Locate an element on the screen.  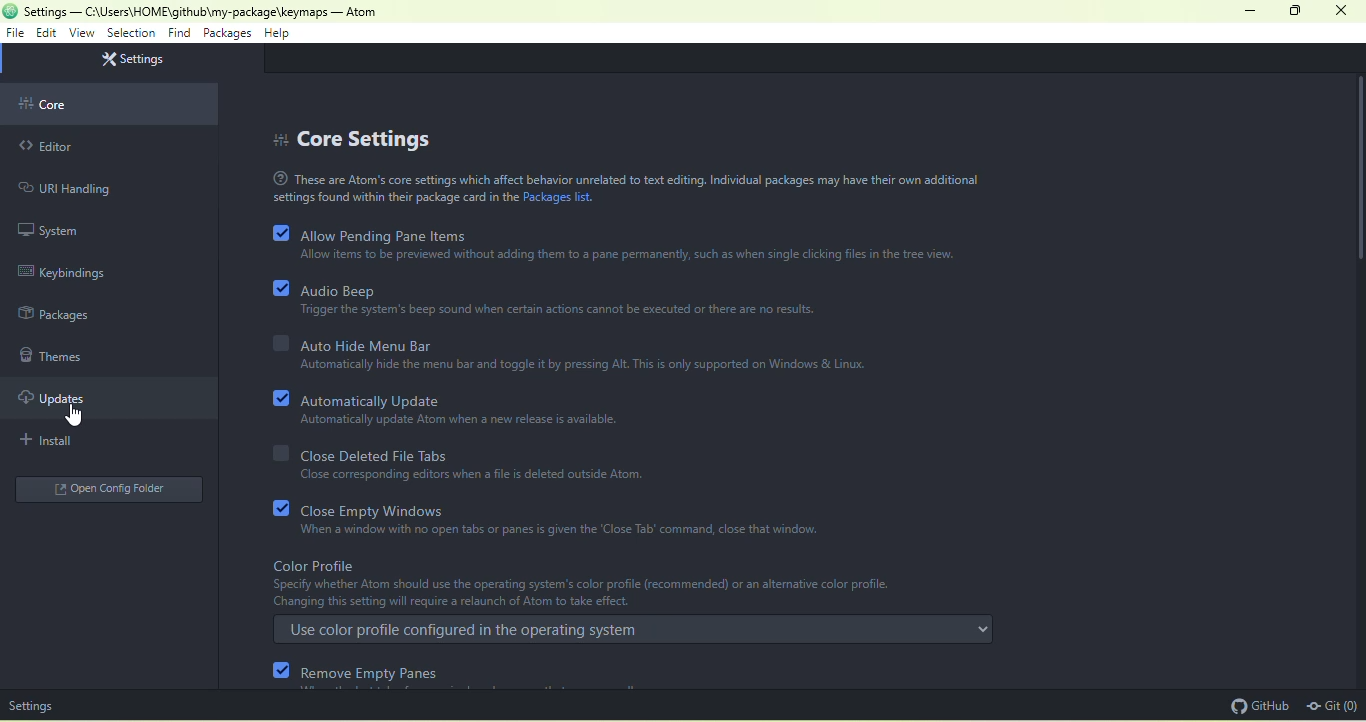
github is located at coordinates (1257, 706).